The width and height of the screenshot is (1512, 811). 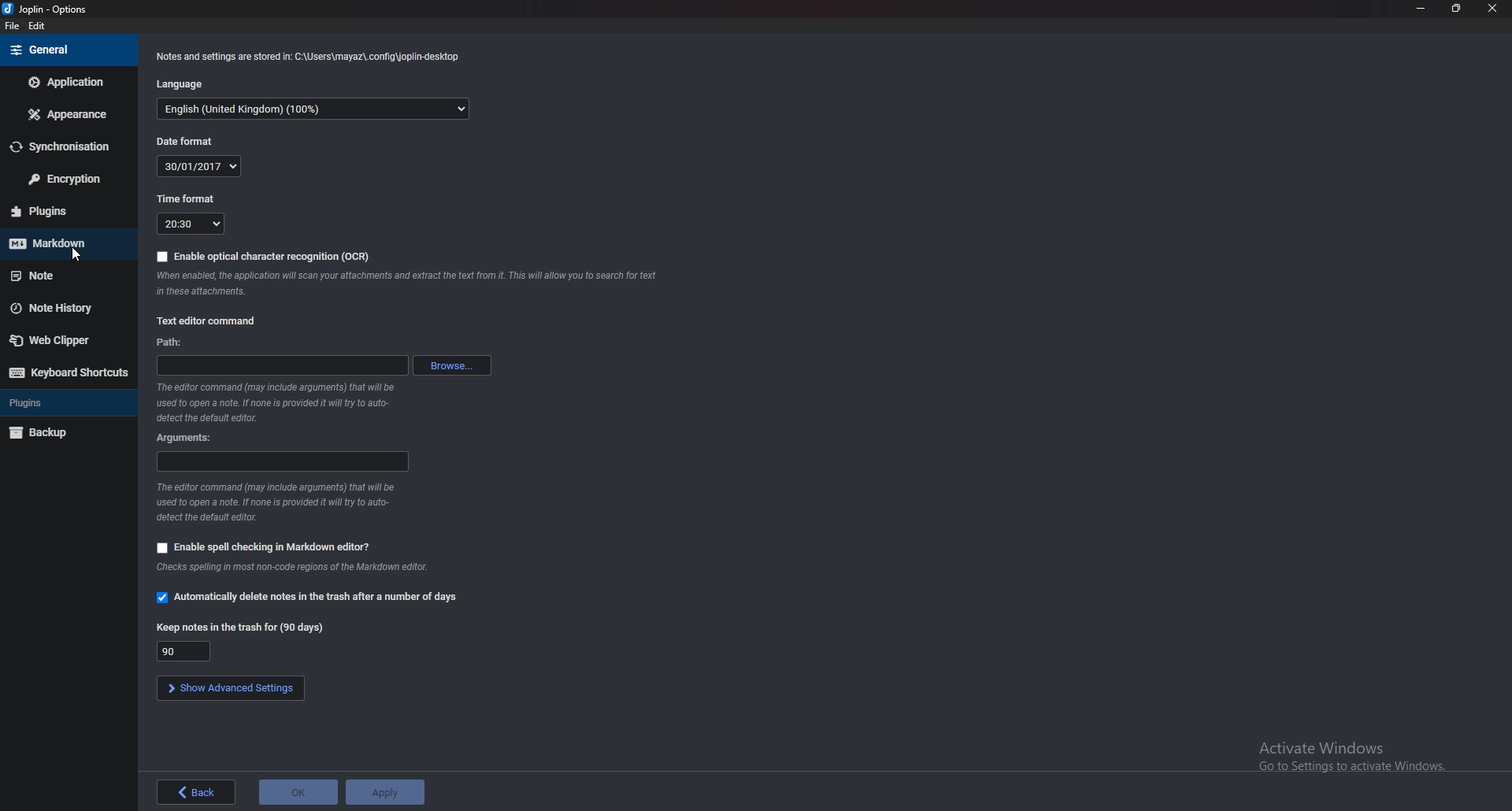 I want to click on info, so click(x=406, y=283).